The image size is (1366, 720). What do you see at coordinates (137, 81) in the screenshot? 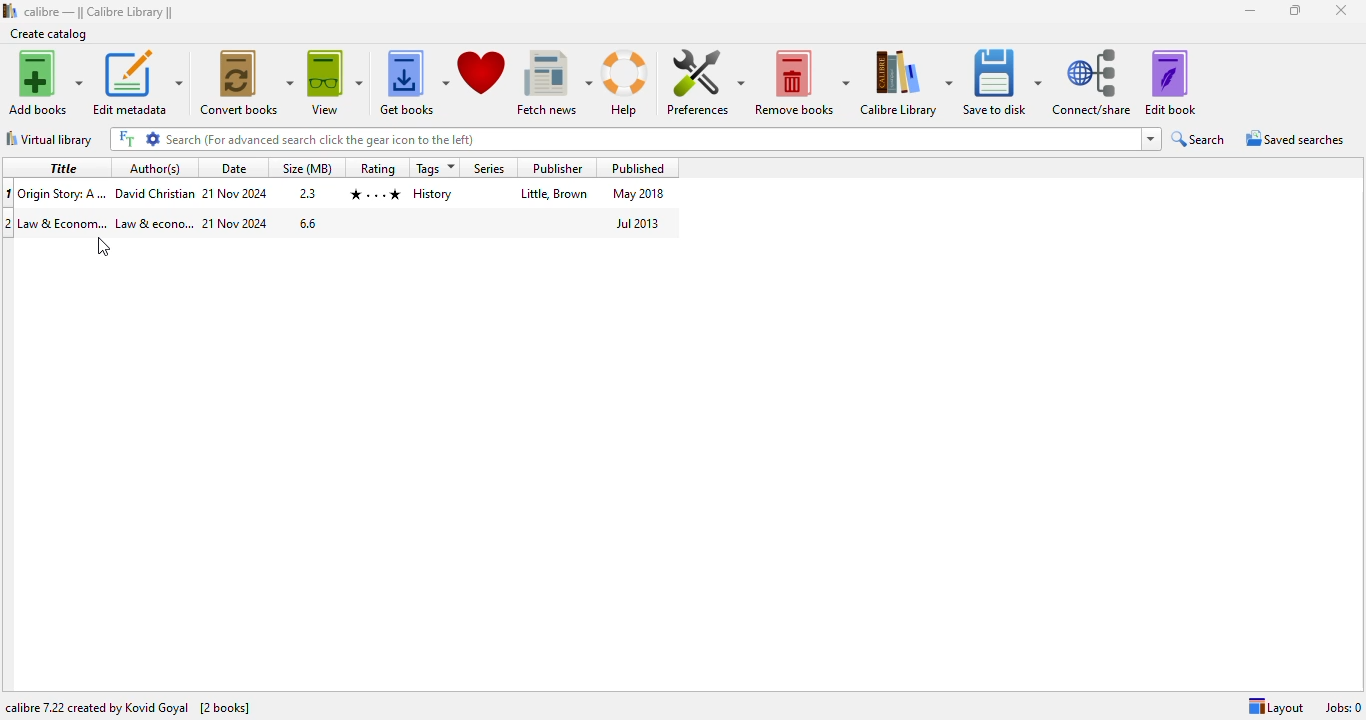
I see `edit metadata` at bounding box center [137, 81].